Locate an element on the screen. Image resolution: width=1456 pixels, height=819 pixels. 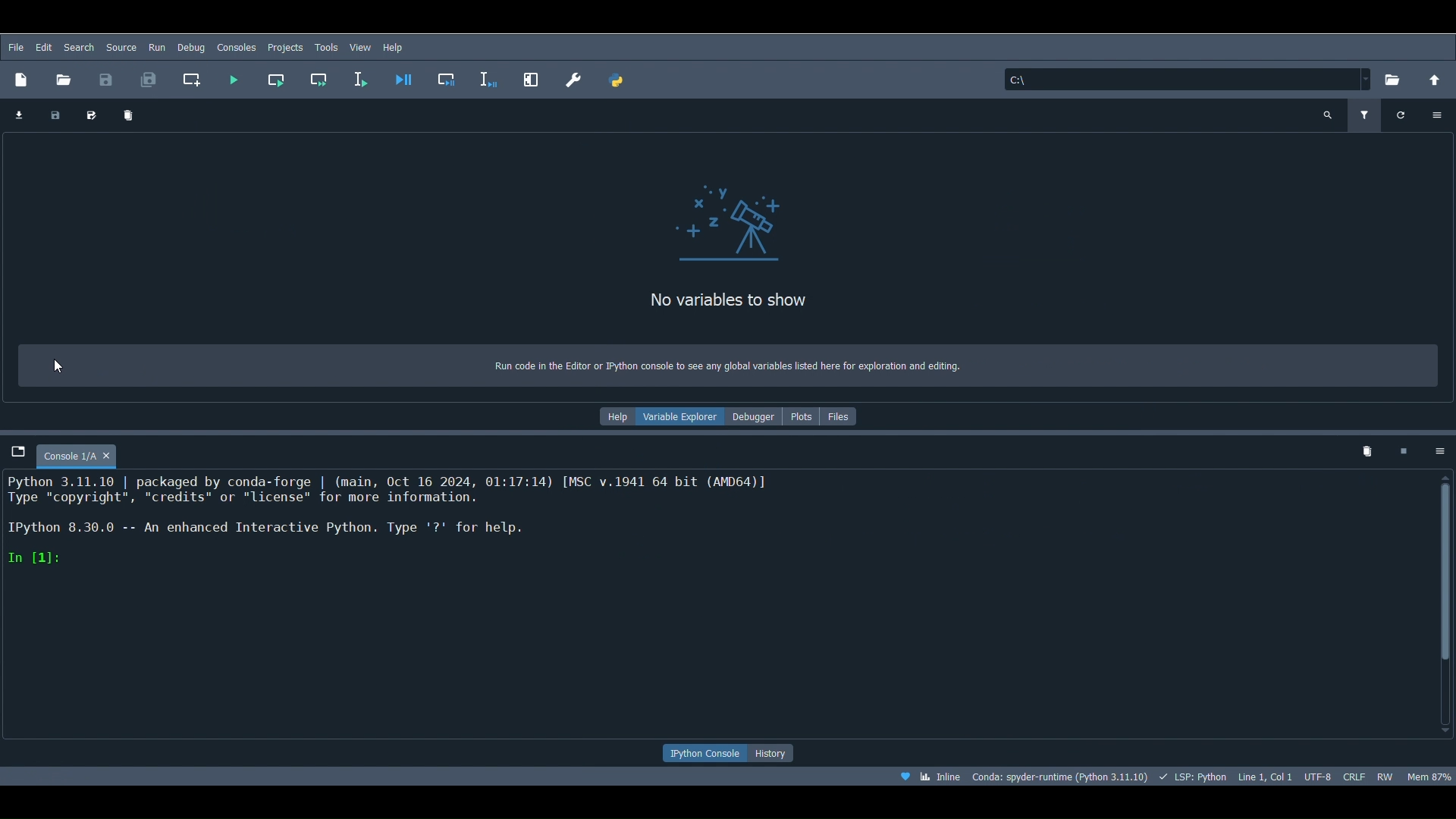
Browse a working directory is located at coordinates (1394, 80).